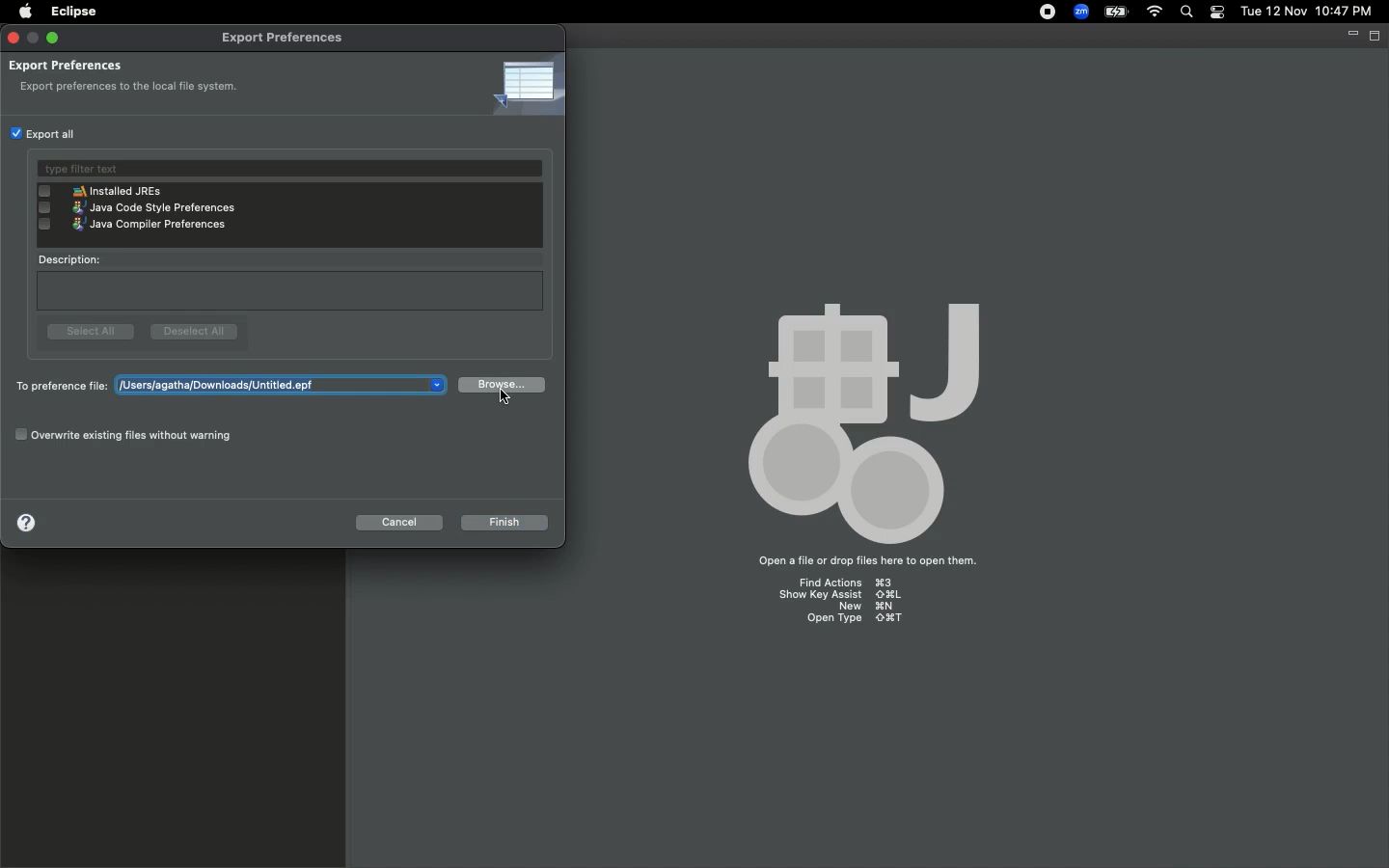 The width and height of the screenshot is (1389, 868). What do you see at coordinates (14, 39) in the screenshot?
I see `Close` at bounding box center [14, 39].